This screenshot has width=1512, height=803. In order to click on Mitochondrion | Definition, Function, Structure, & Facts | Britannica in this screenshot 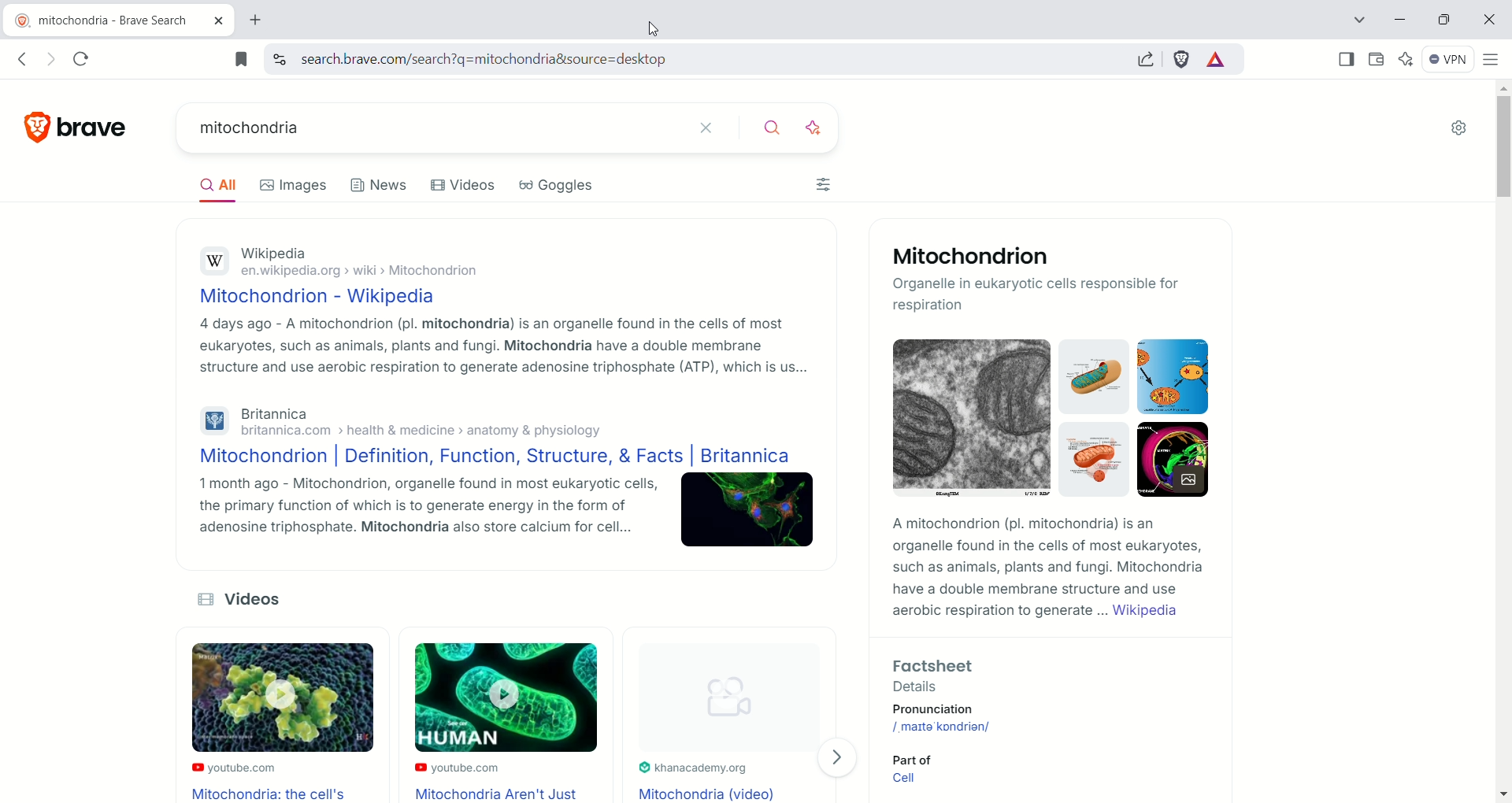, I will do `click(490, 457)`.